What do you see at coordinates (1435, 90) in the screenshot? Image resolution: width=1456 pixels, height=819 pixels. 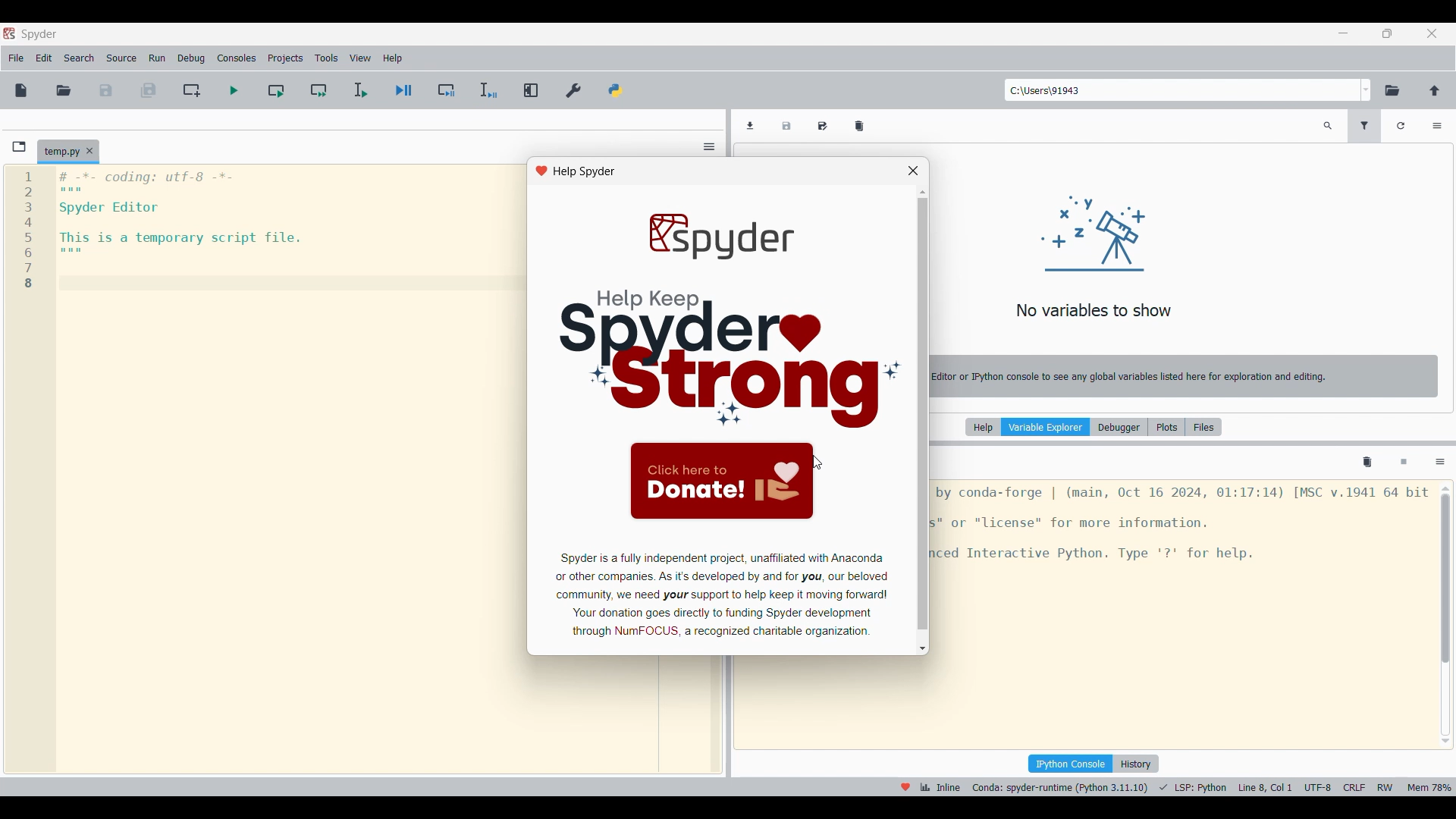 I see `Change to parent directory` at bounding box center [1435, 90].